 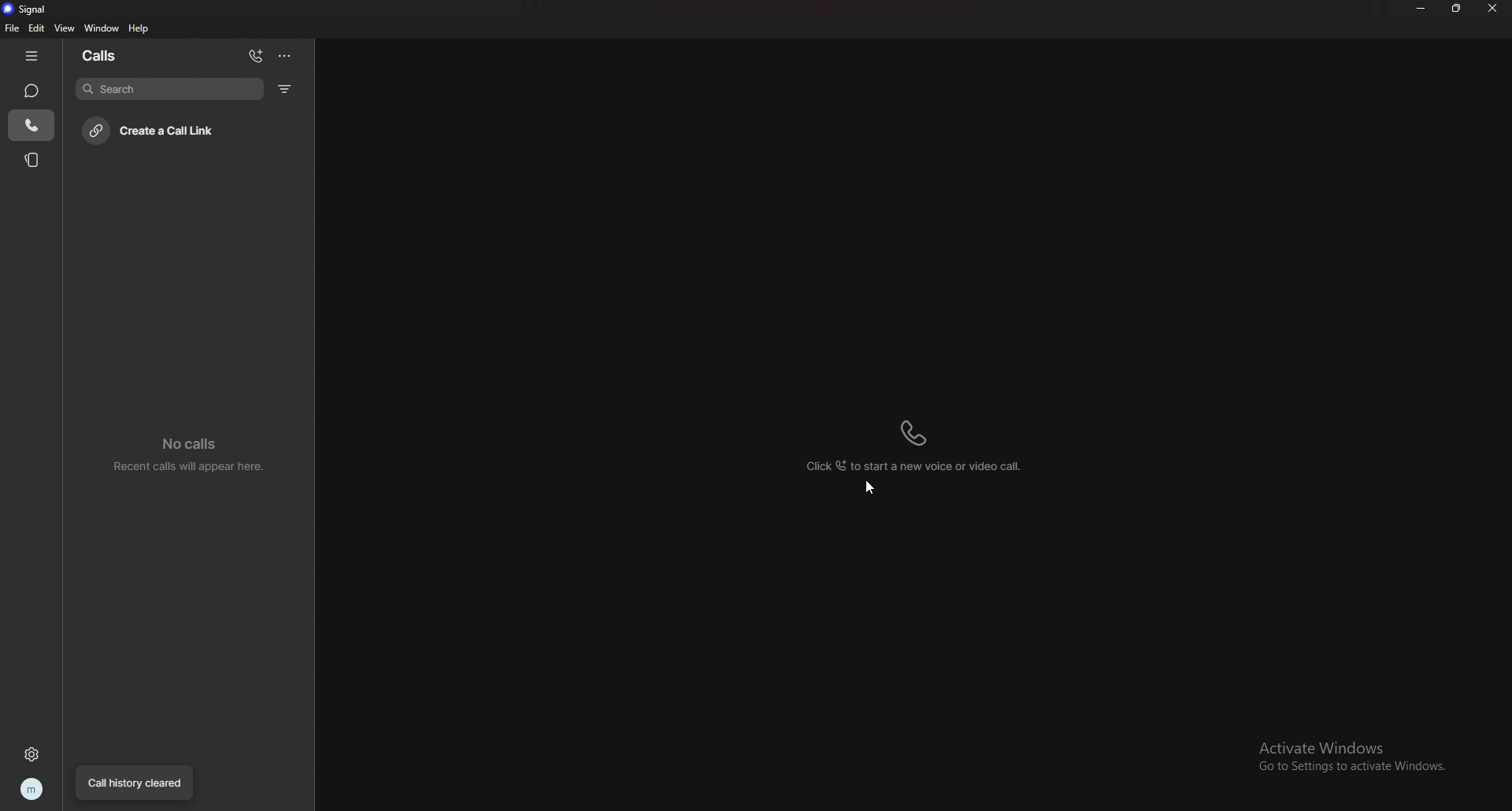 What do you see at coordinates (189, 455) in the screenshot?
I see `no calls recent calls will appear here` at bounding box center [189, 455].